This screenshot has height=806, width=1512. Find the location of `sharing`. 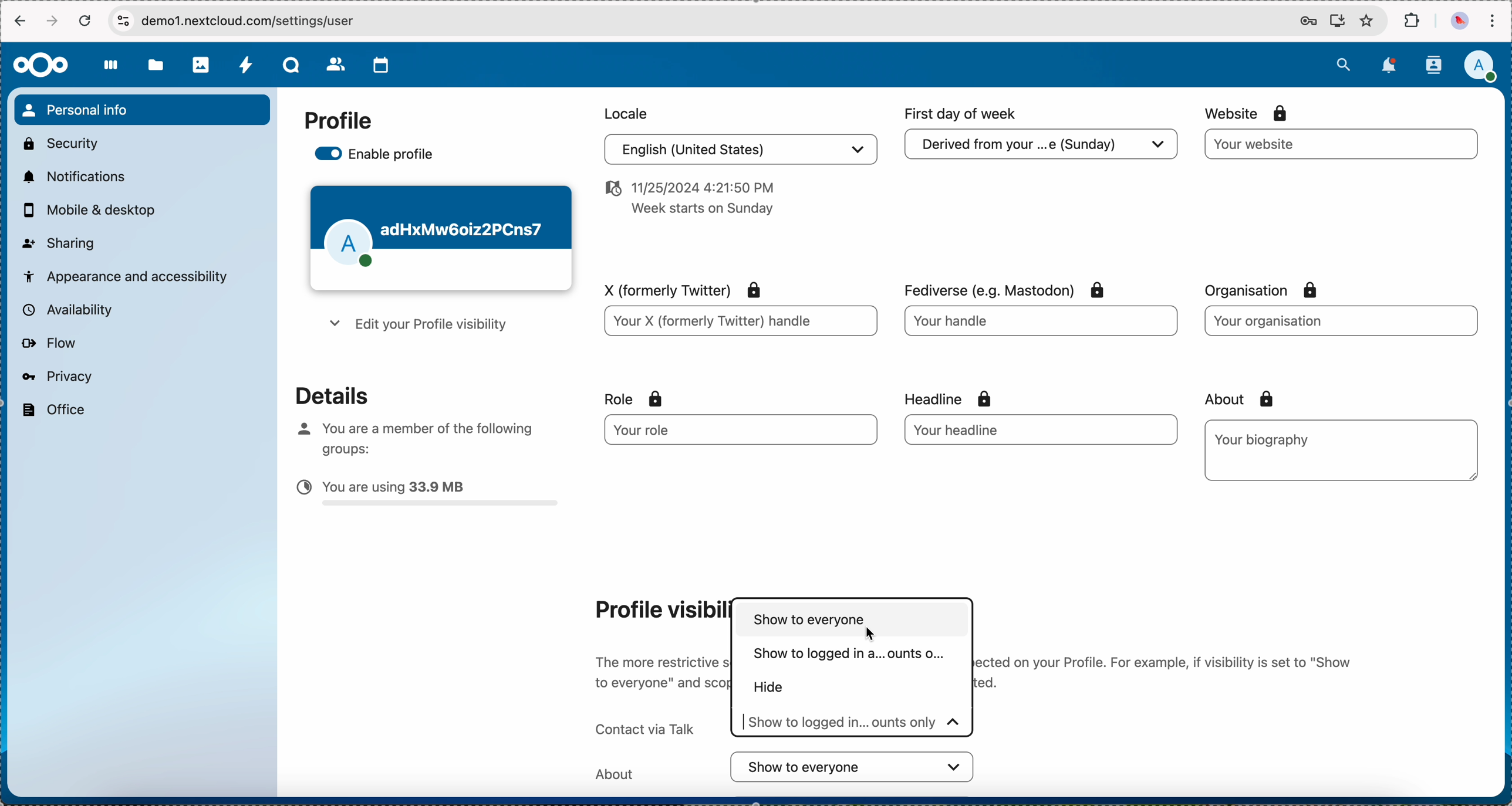

sharing is located at coordinates (59, 242).